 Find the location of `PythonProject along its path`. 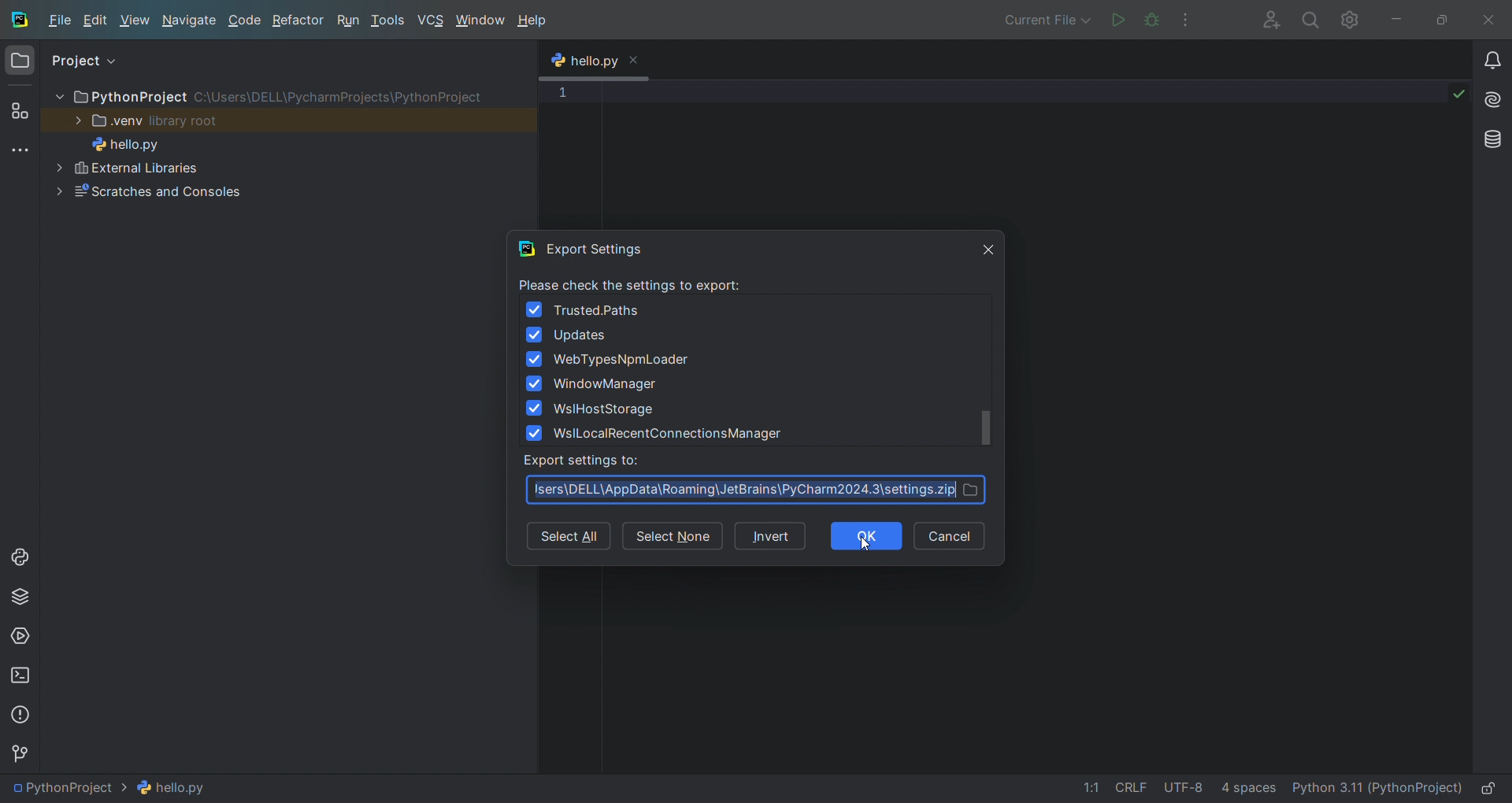

PythonProject along its path is located at coordinates (266, 96).